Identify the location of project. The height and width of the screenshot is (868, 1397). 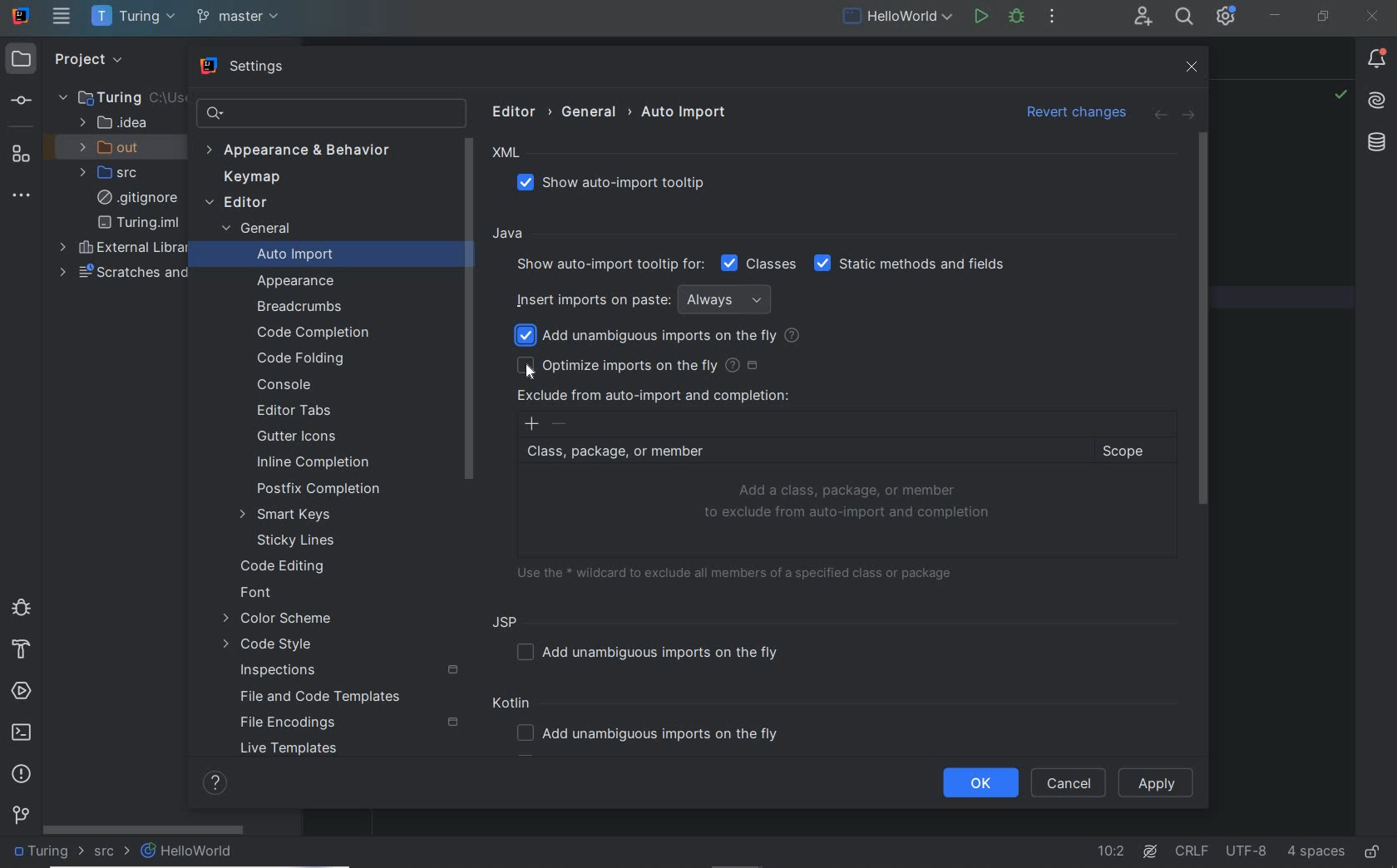
(85, 58).